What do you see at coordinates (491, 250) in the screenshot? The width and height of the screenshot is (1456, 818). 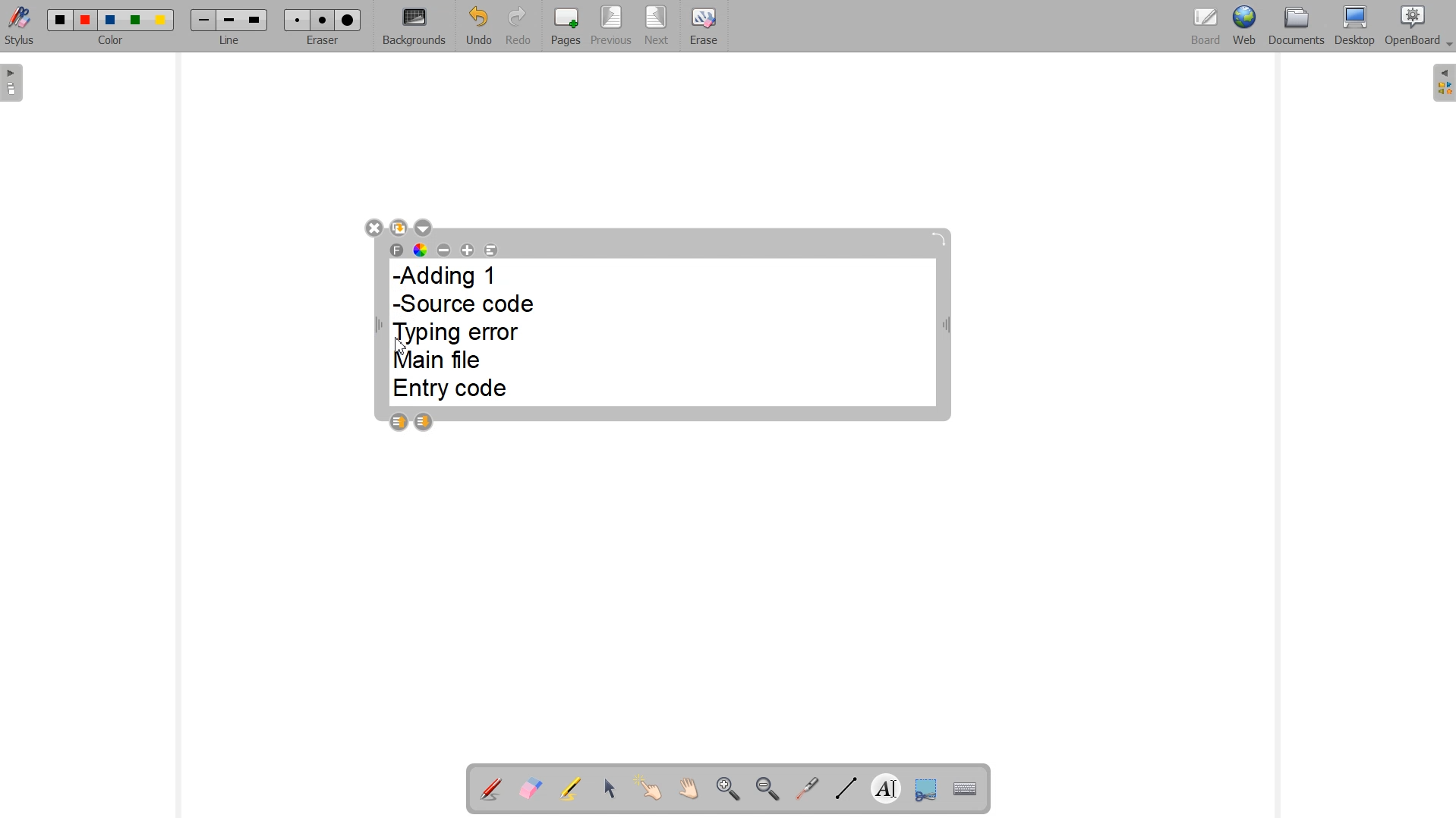 I see `Text Alignment` at bounding box center [491, 250].